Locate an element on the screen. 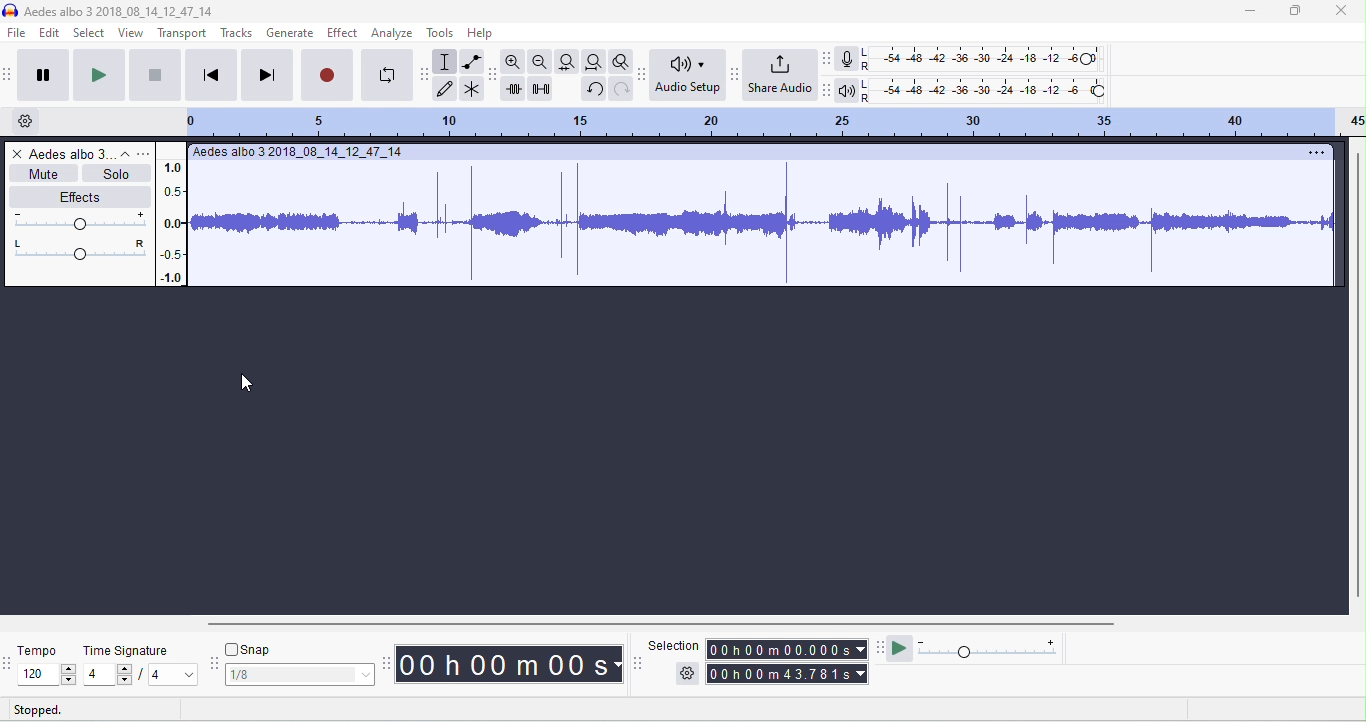  maximize is located at coordinates (1294, 10).